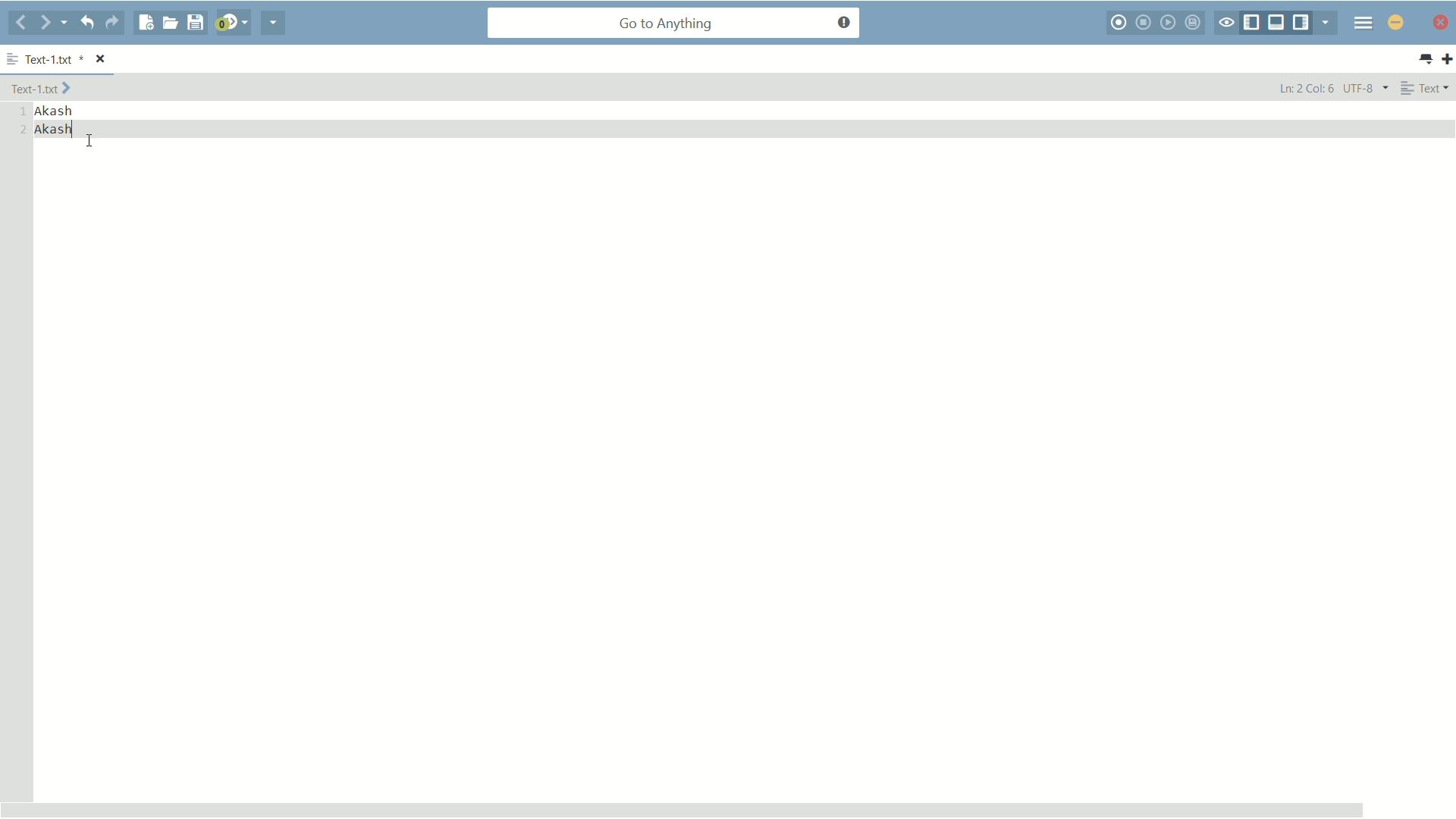  I want to click on text-1 File, so click(42, 87).